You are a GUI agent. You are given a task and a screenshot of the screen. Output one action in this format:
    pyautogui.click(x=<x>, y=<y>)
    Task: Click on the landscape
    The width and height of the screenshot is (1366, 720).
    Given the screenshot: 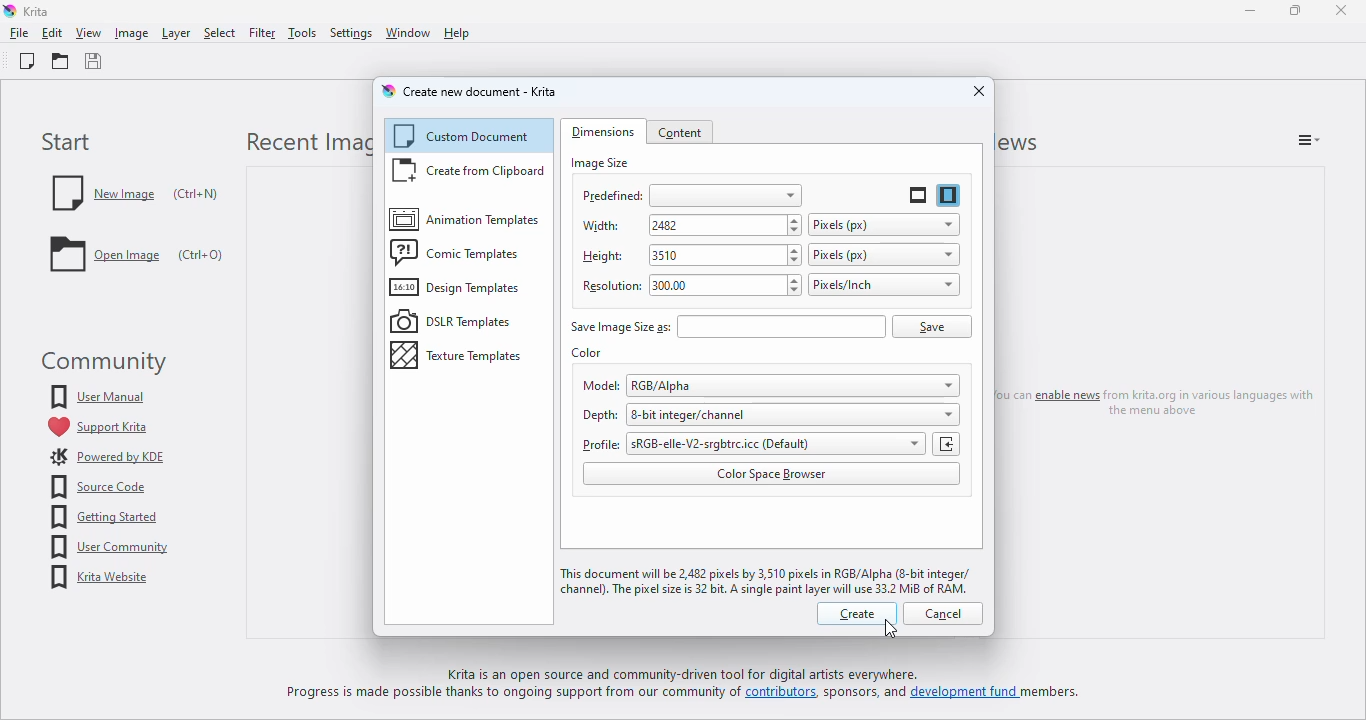 What is the action you would take?
    pyautogui.click(x=918, y=195)
    